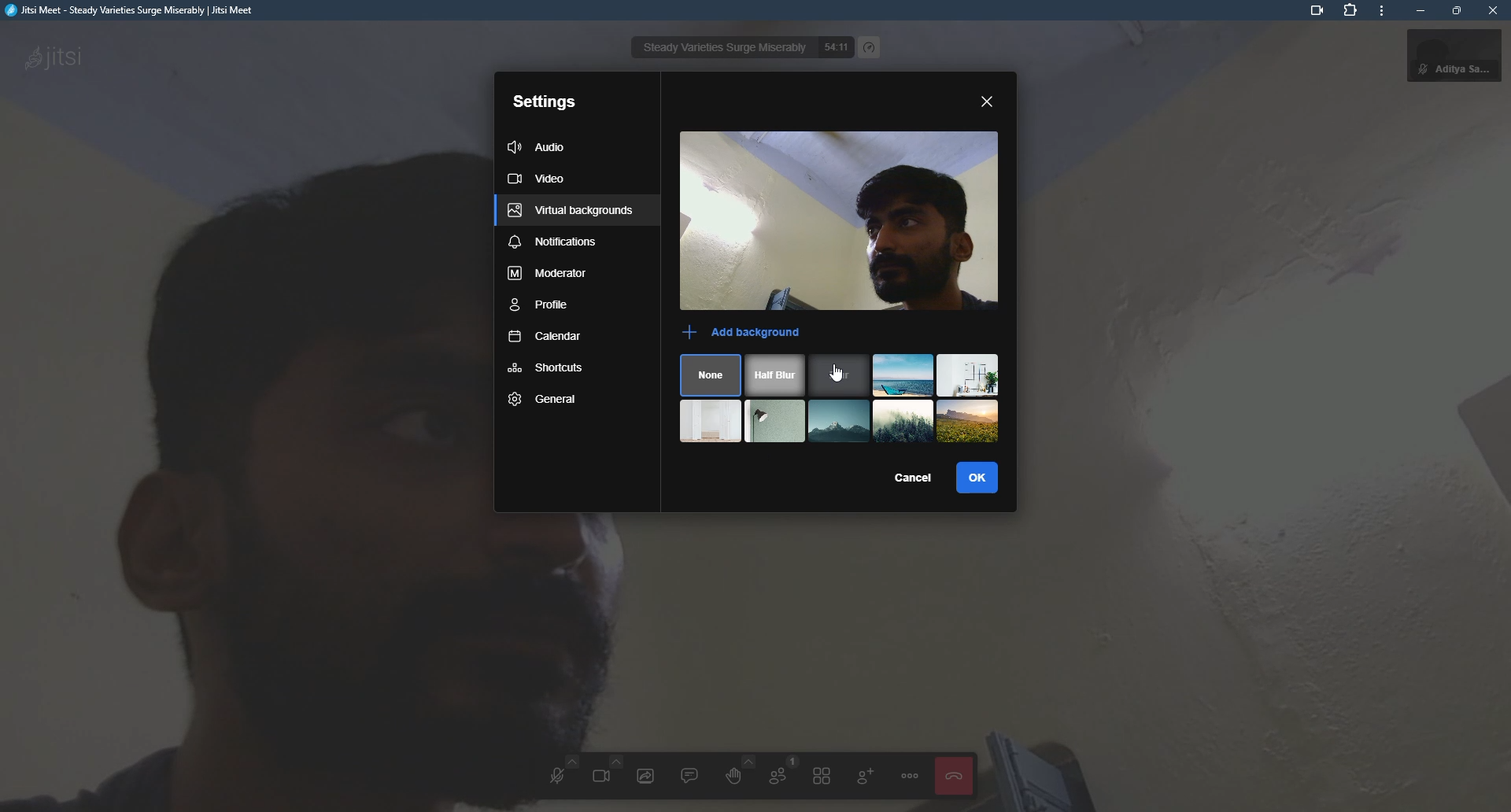 The width and height of the screenshot is (1511, 812). Describe the element at coordinates (777, 376) in the screenshot. I see `half blur` at that location.